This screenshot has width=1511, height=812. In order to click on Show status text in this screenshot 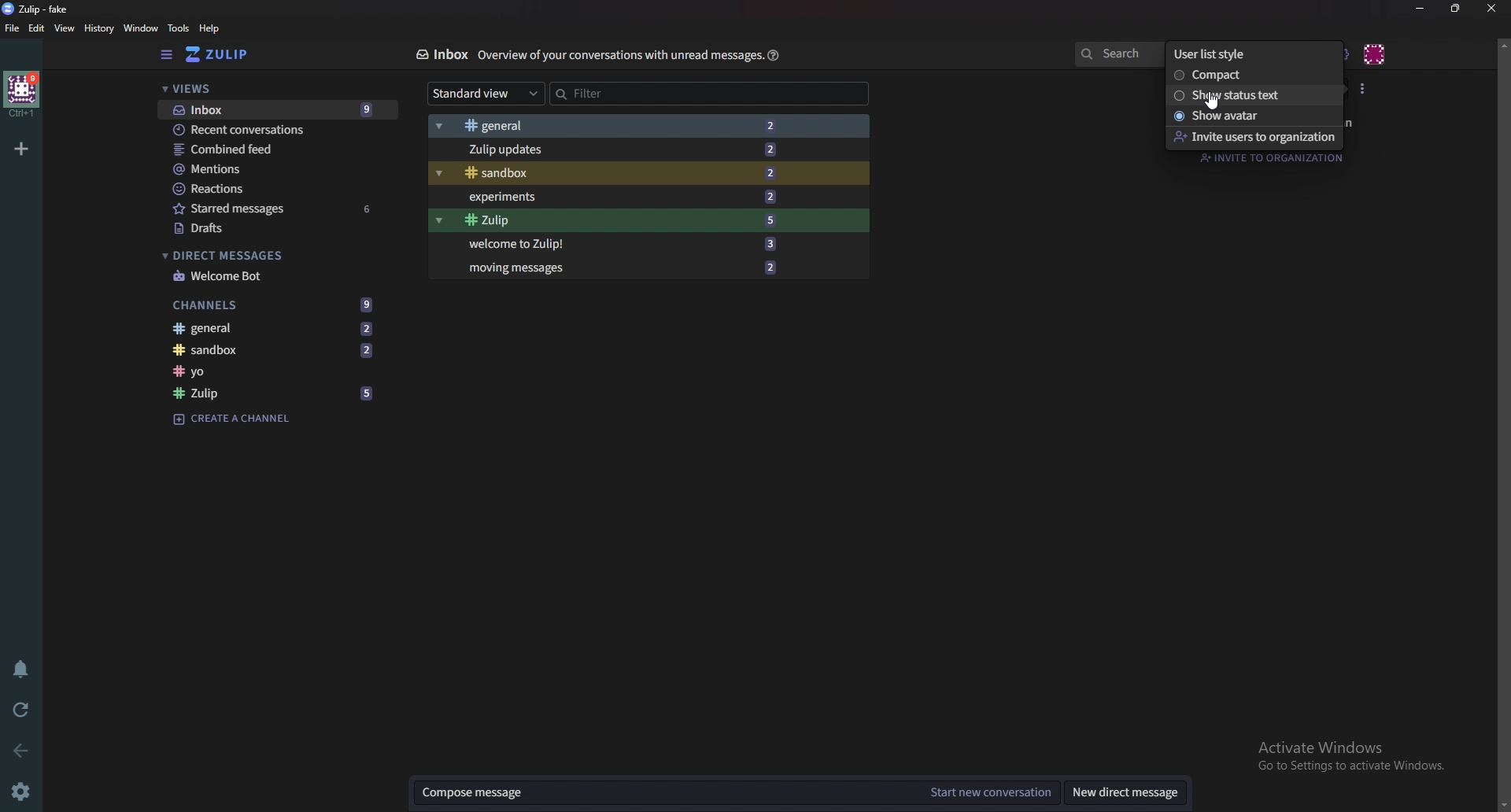, I will do `click(1245, 94)`.